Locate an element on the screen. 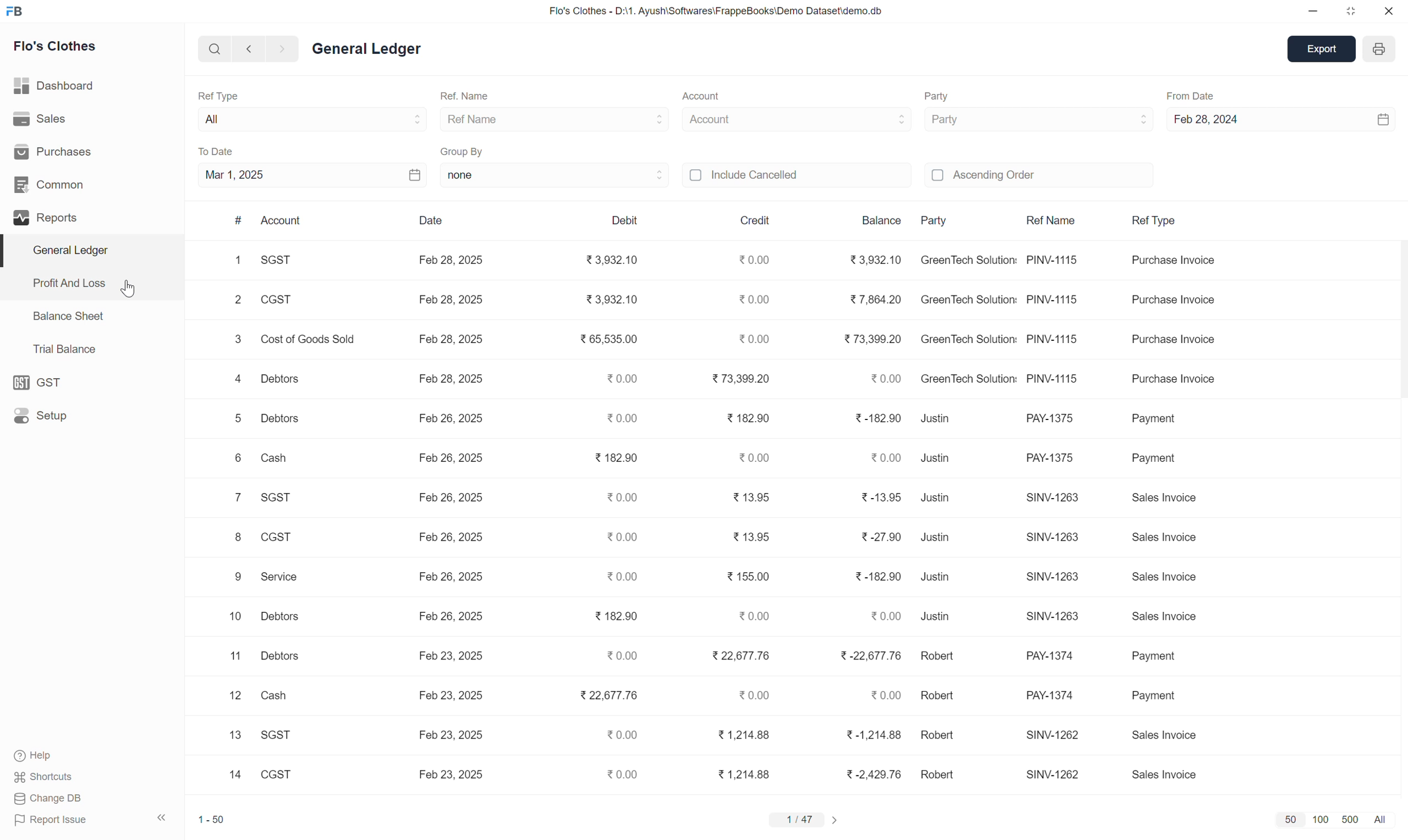  Robert is located at coordinates (940, 774).